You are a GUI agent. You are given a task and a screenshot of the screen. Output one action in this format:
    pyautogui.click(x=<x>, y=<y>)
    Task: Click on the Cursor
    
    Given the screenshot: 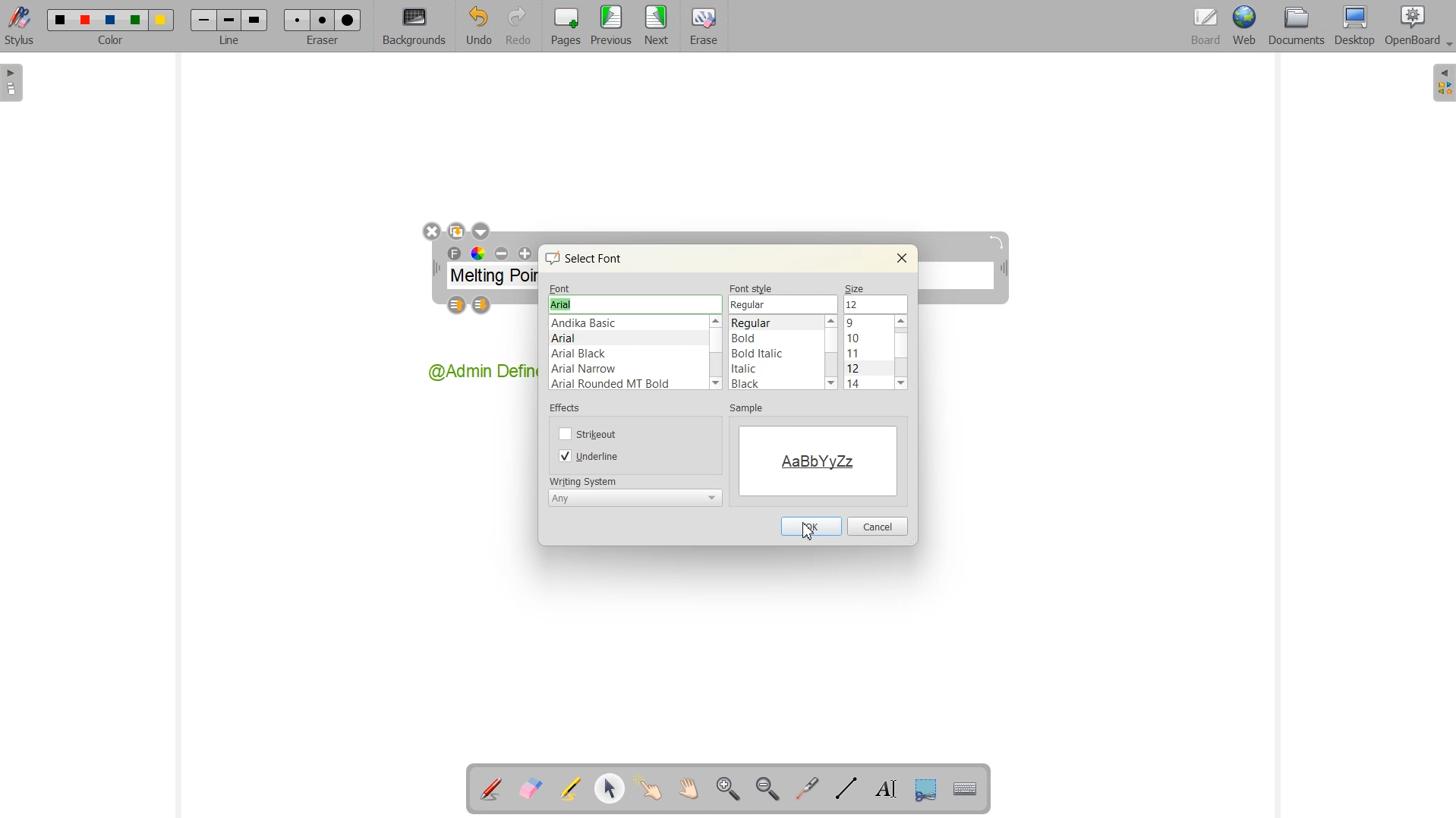 What is the action you would take?
    pyautogui.click(x=808, y=530)
    